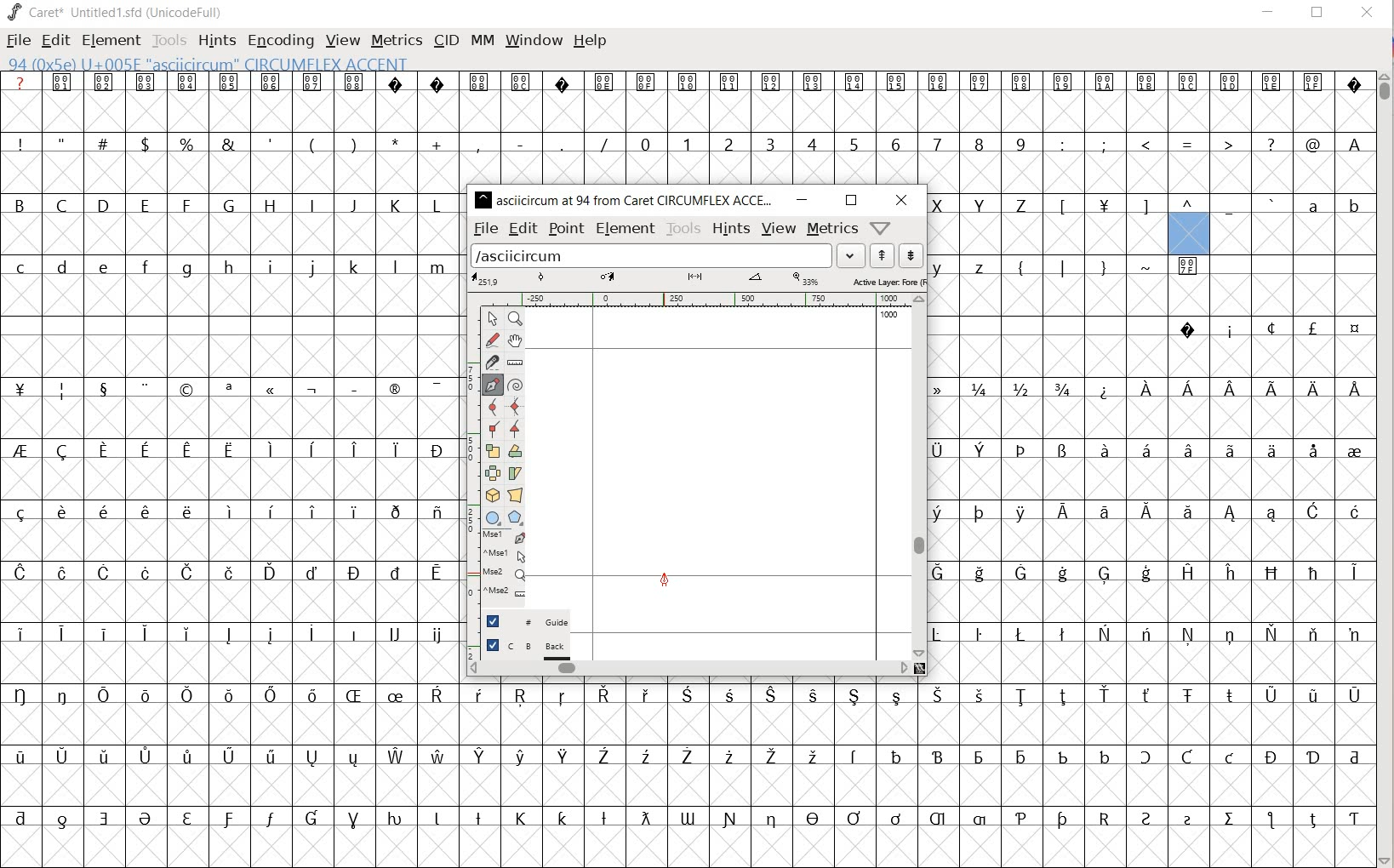  Describe the element at coordinates (490, 363) in the screenshot. I see `cut splines in two` at that location.